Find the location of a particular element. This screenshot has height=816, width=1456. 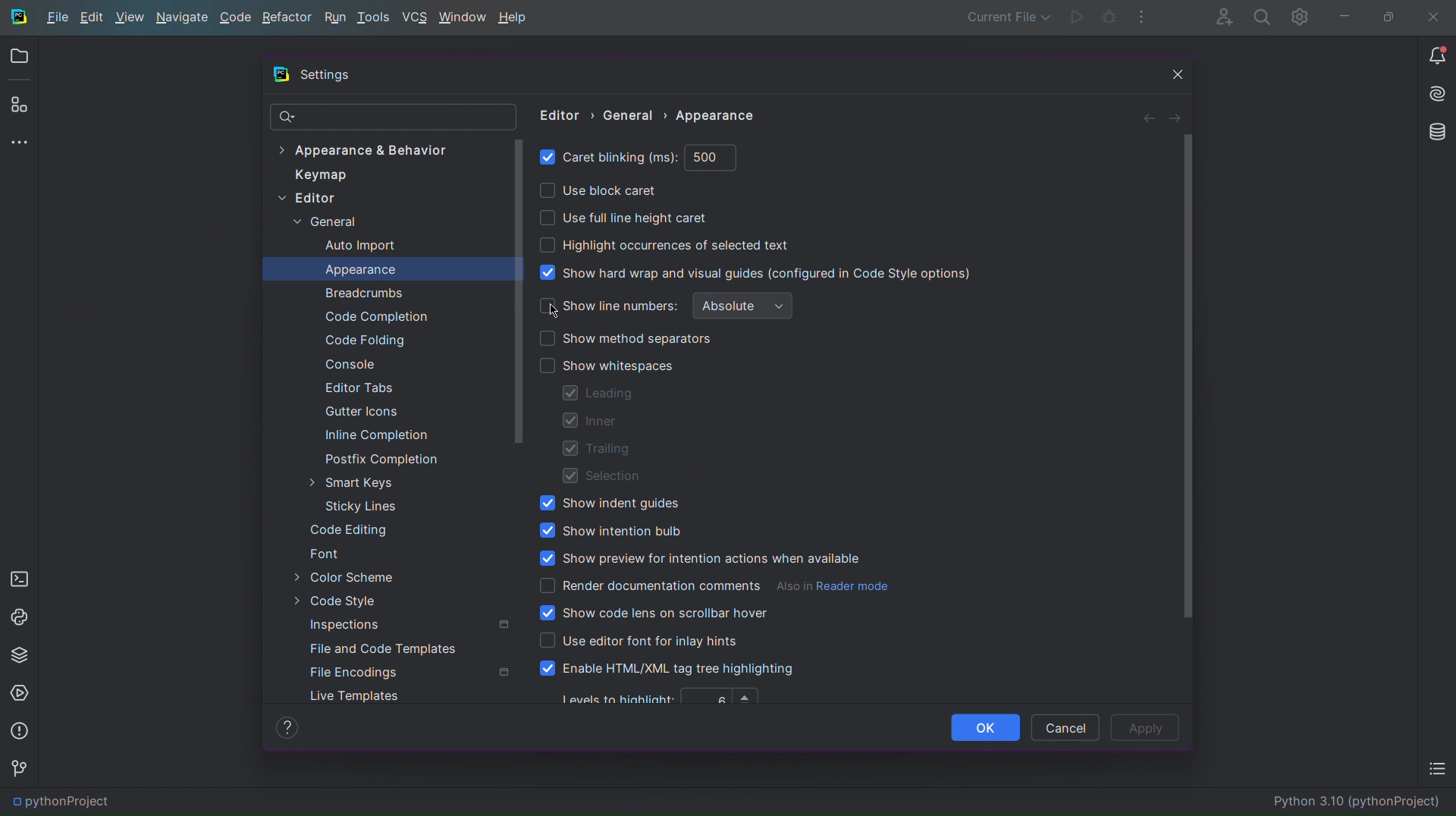

Logo is located at coordinates (281, 77).